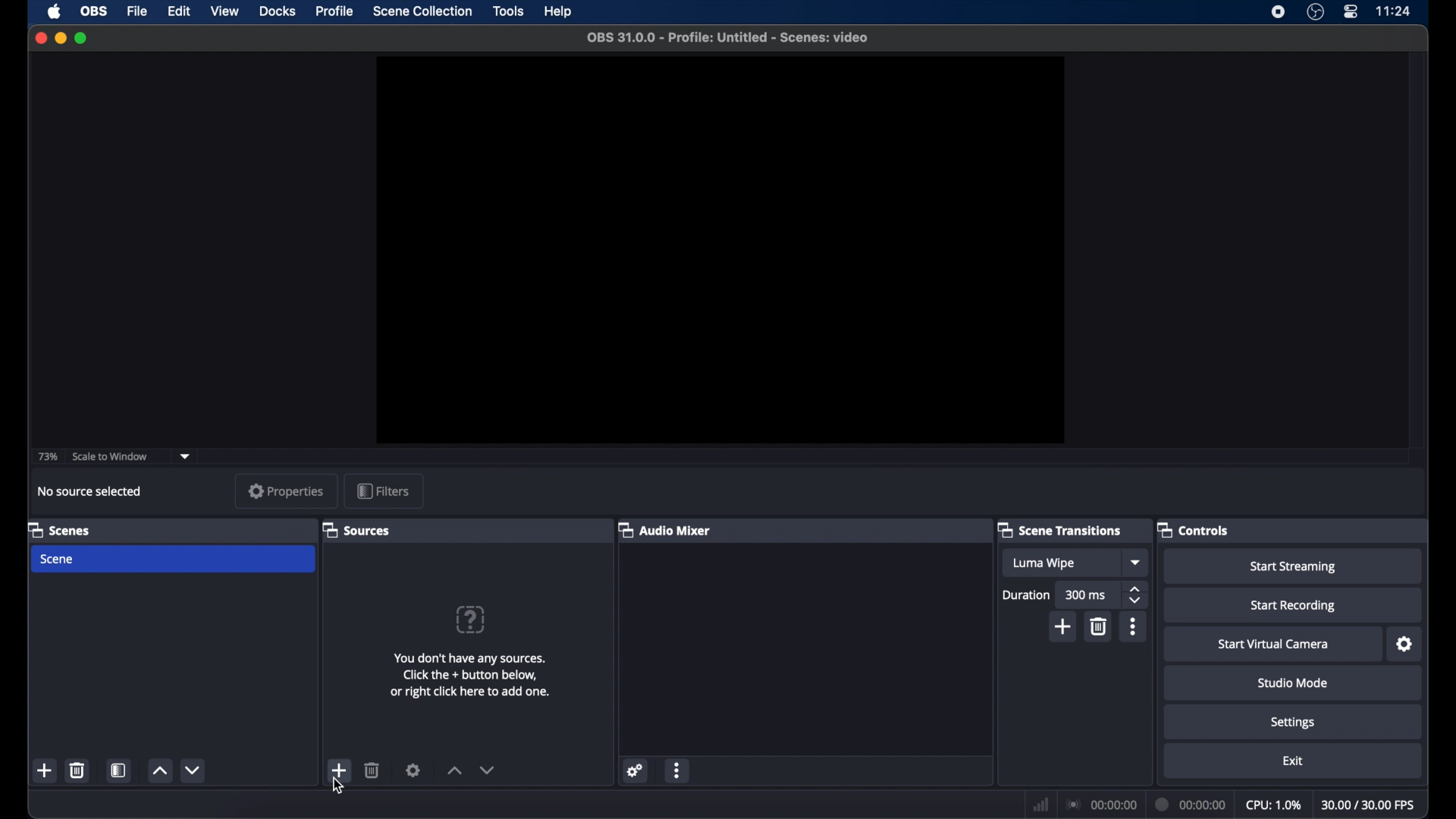 This screenshot has height=819, width=1456. Describe the element at coordinates (178, 11) in the screenshot. I see `edit` at that location.